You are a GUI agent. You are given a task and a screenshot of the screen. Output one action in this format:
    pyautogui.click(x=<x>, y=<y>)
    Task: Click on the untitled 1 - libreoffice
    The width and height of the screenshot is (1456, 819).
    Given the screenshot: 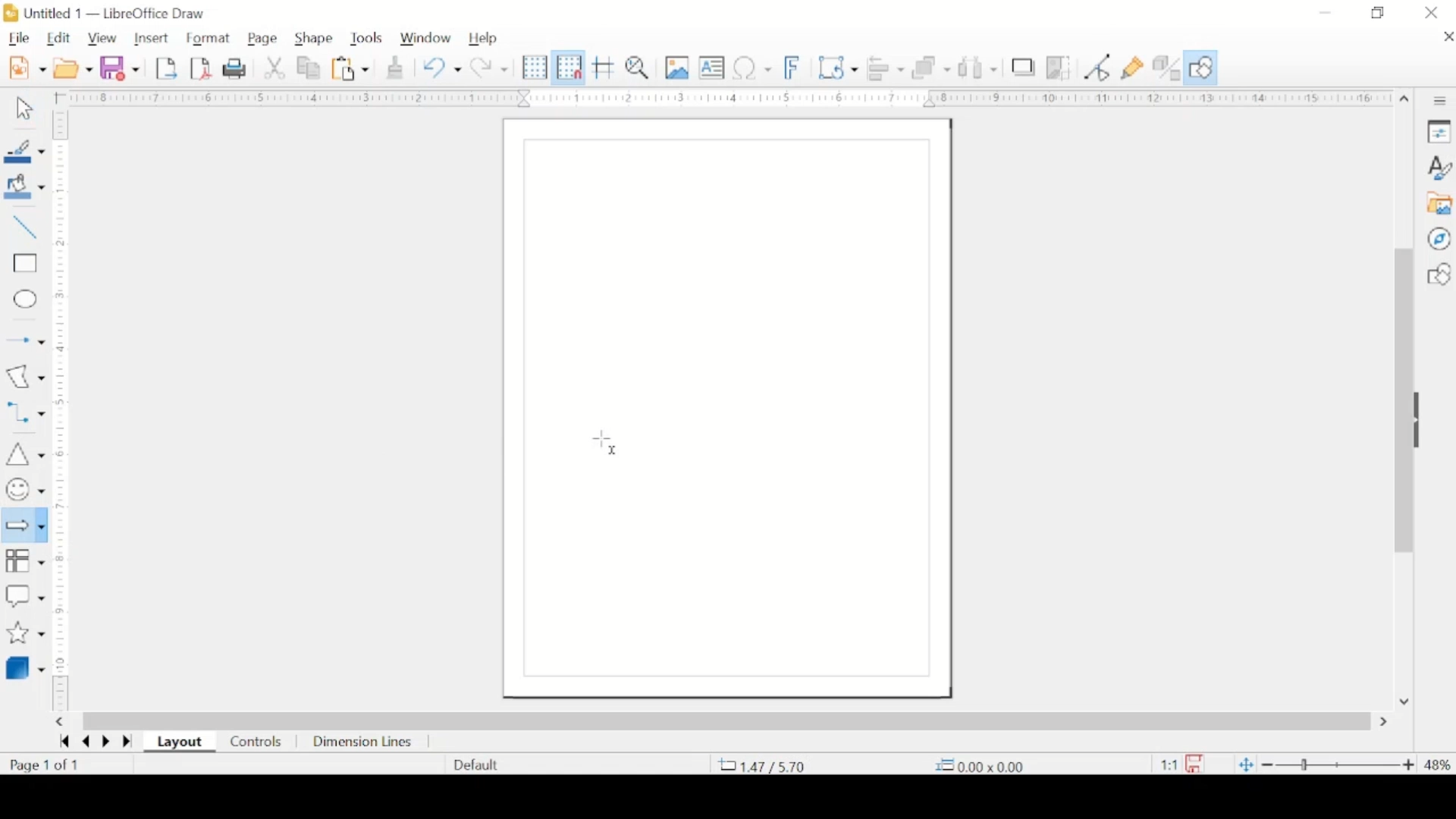 What is the action you would take?
    pyautogui.click(x=108, y=13)
    